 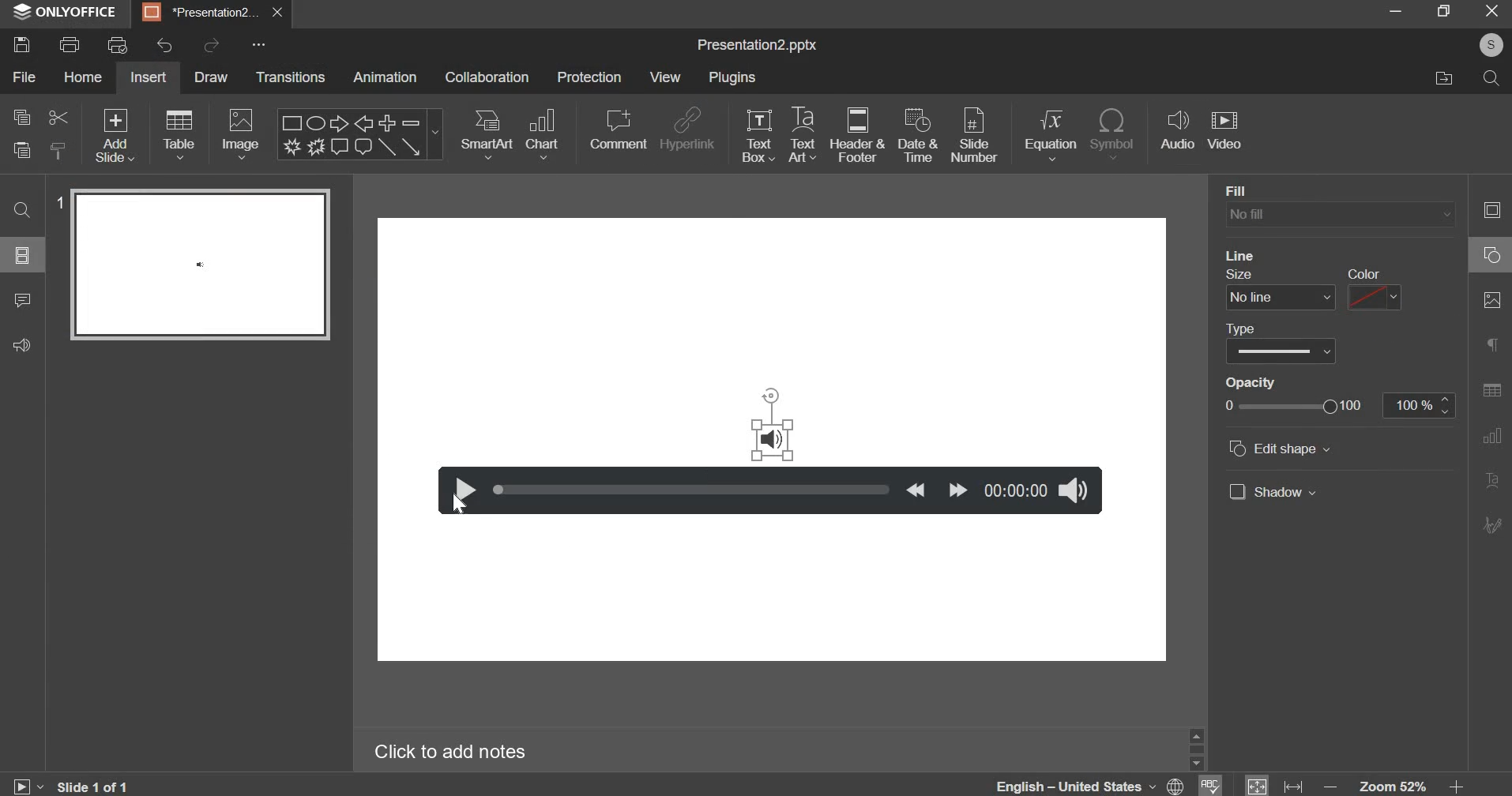 What do you see at coordinates (1179, 132) in the screenshot?
I see `insert audio` at bounding box center [1179, 132].